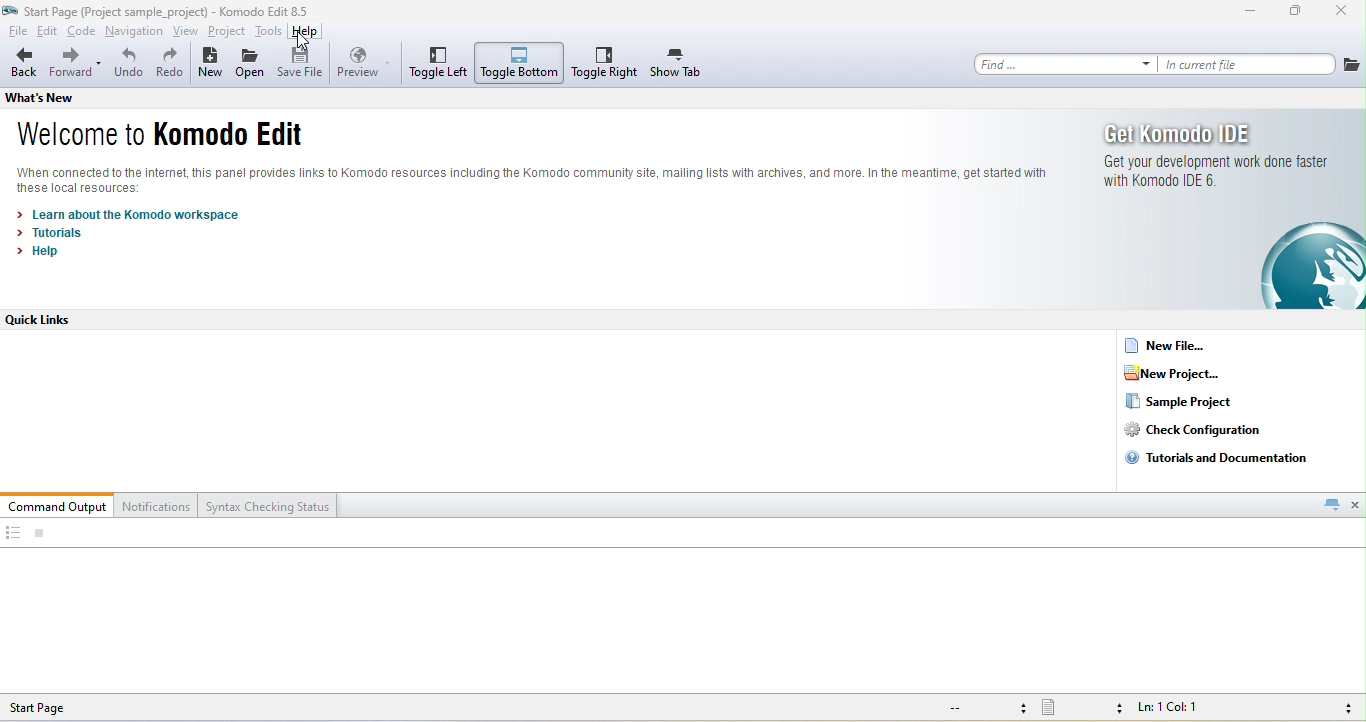 This screenshot has width=1366, height=722. I want to click on notifications, so click(158, 505).